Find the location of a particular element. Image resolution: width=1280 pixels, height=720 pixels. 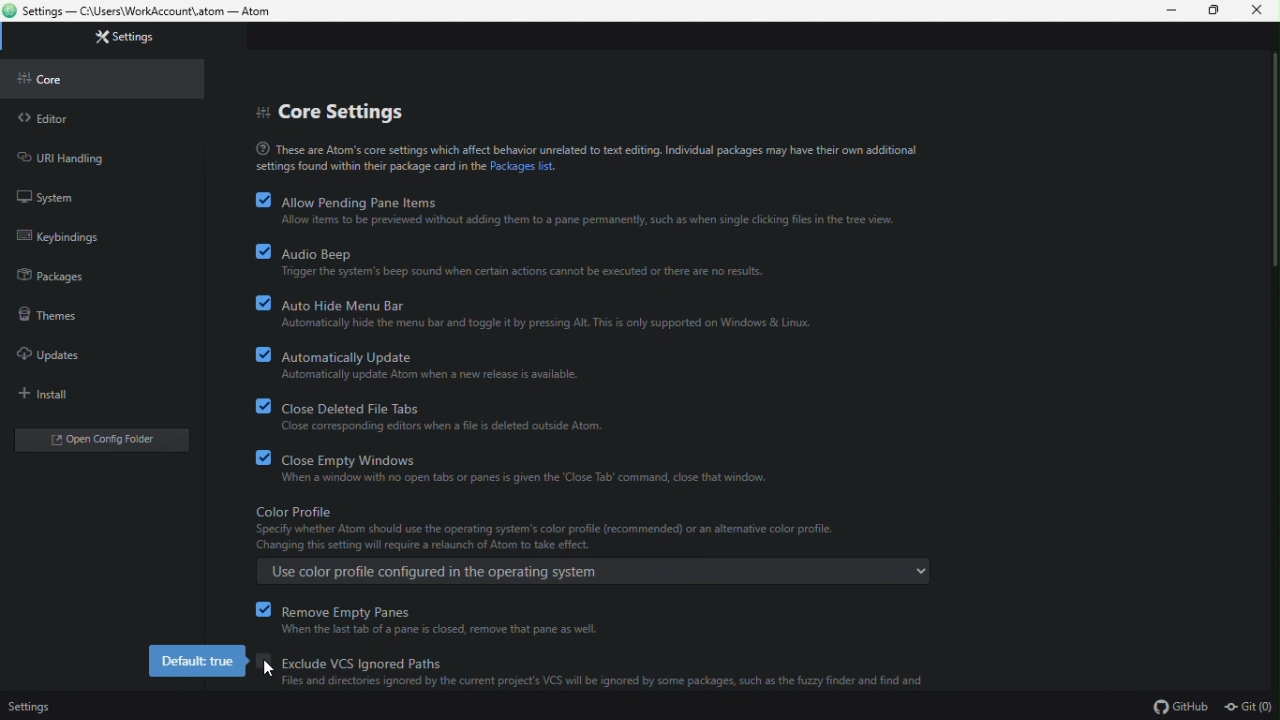

checkbox is located at coordinates (266, 669).